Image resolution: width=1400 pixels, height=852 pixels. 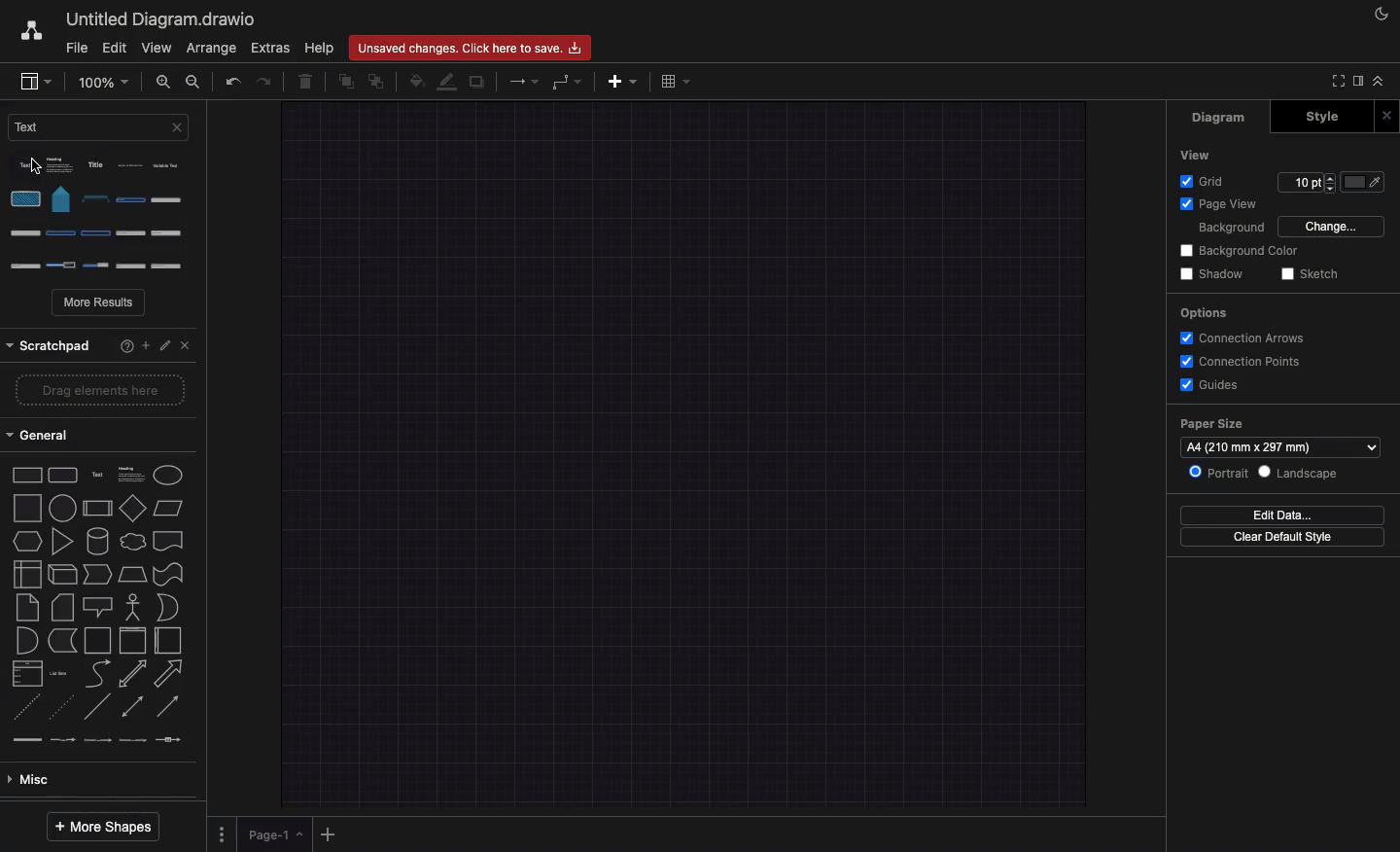 I want to click on Landscape, so click(x=1299, y=473).